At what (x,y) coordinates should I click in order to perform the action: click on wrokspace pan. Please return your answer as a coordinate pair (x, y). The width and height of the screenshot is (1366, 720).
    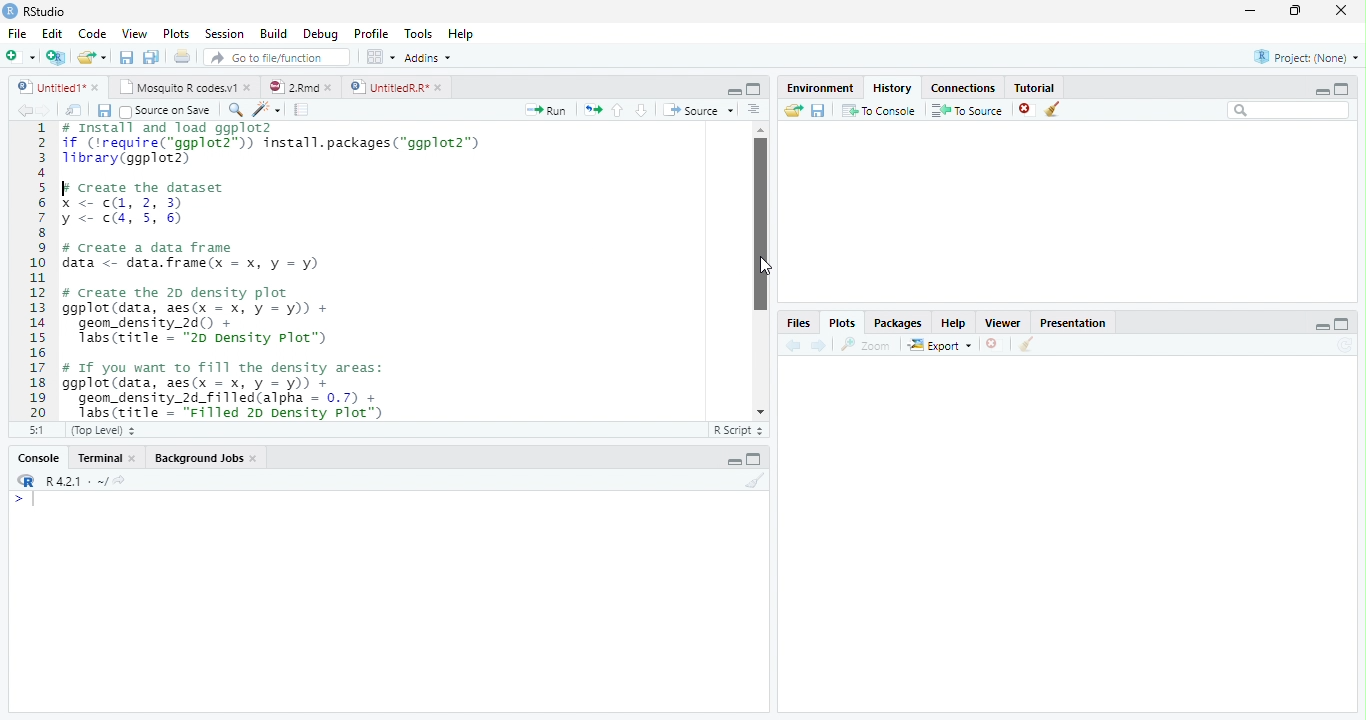
    Looking at the image, I should click on (379, 57).